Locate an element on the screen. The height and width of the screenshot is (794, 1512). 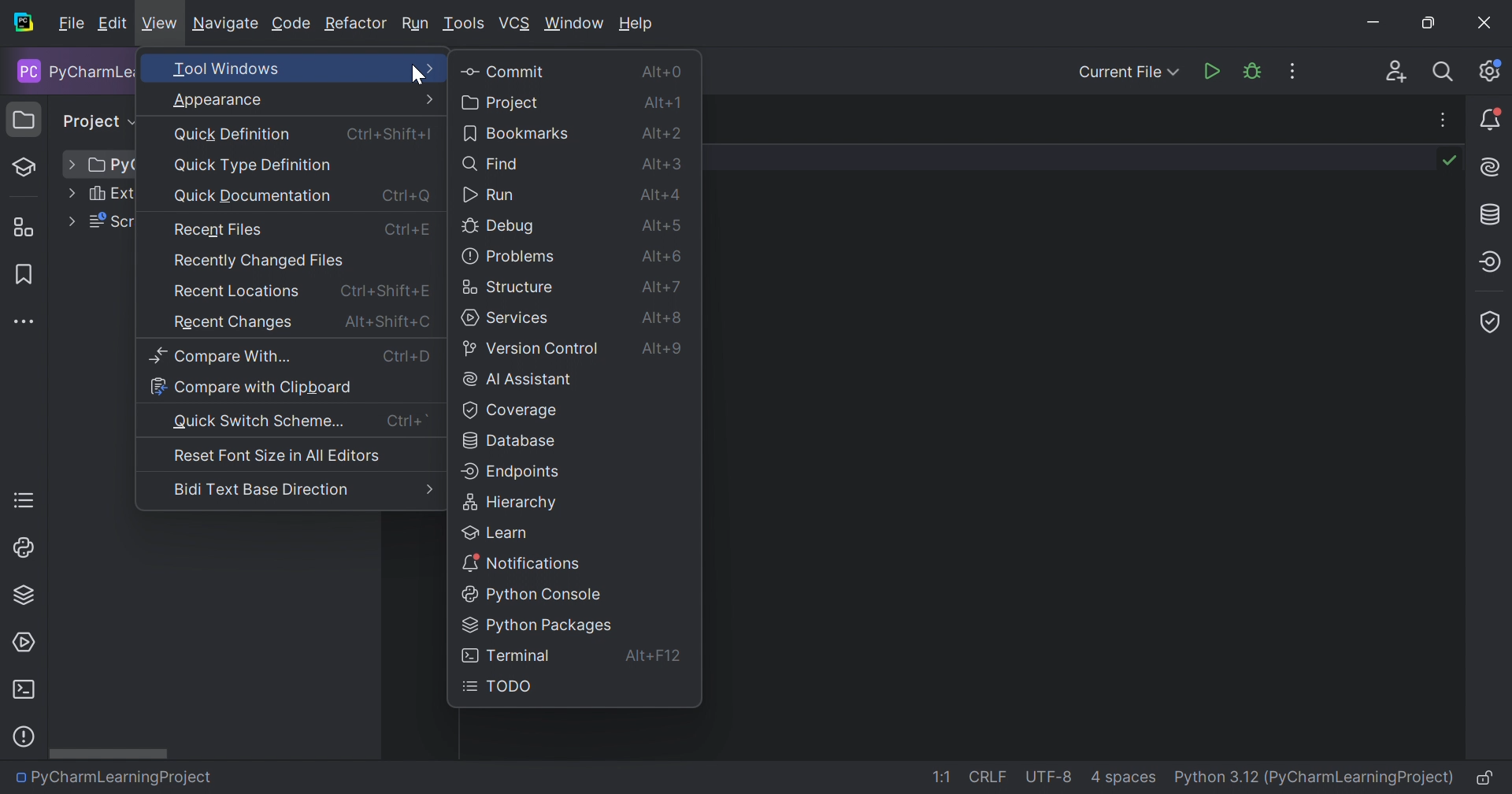
Database is located at coordinates (1492, 213).